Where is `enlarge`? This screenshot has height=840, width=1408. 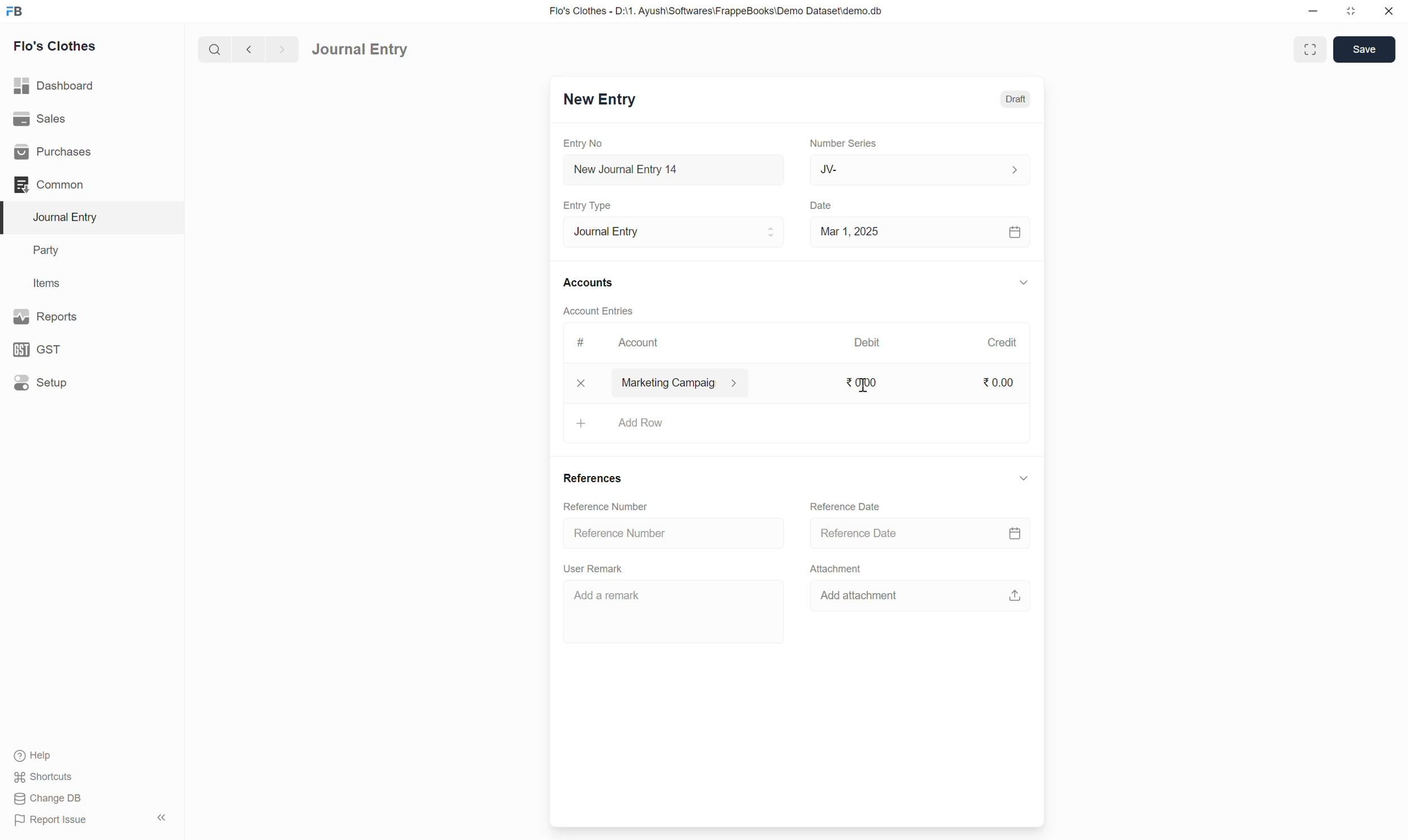
enlarge is located at coordinates (1312, 48).